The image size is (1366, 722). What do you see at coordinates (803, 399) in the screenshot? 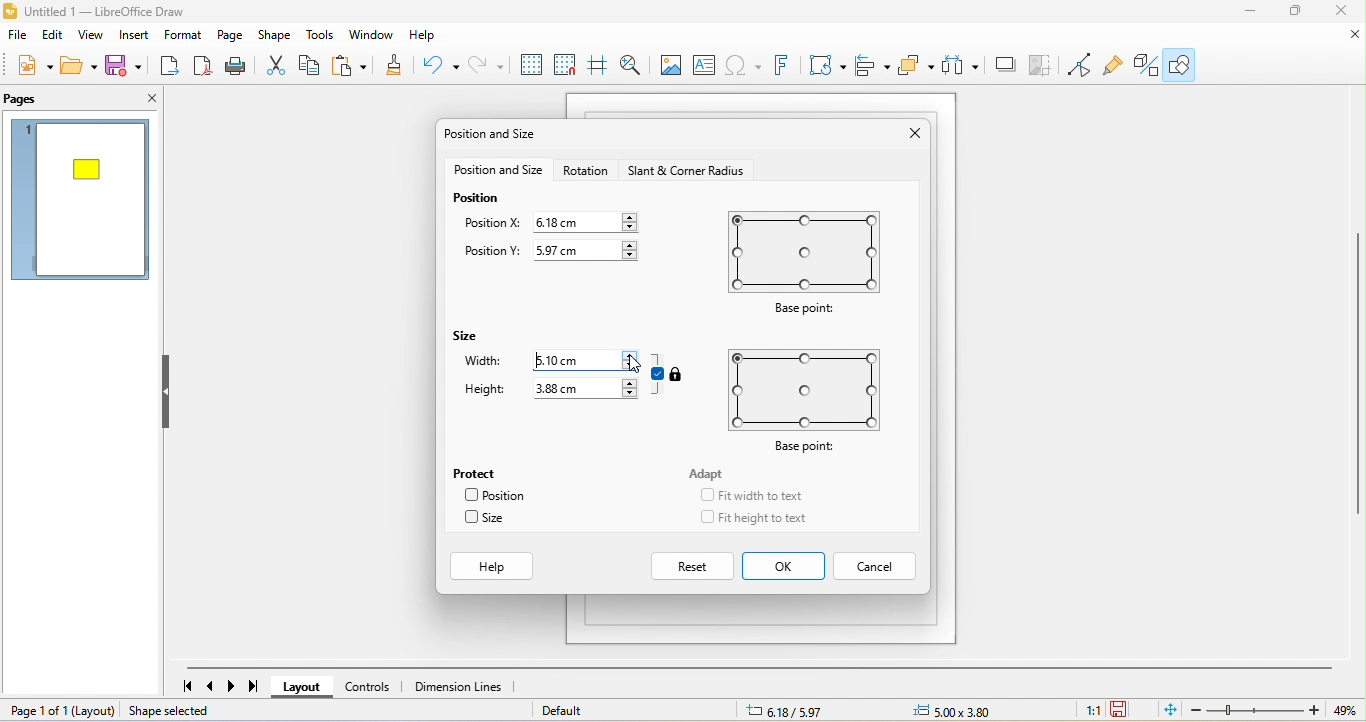
I see `base point` at bounding box center [803, 399].